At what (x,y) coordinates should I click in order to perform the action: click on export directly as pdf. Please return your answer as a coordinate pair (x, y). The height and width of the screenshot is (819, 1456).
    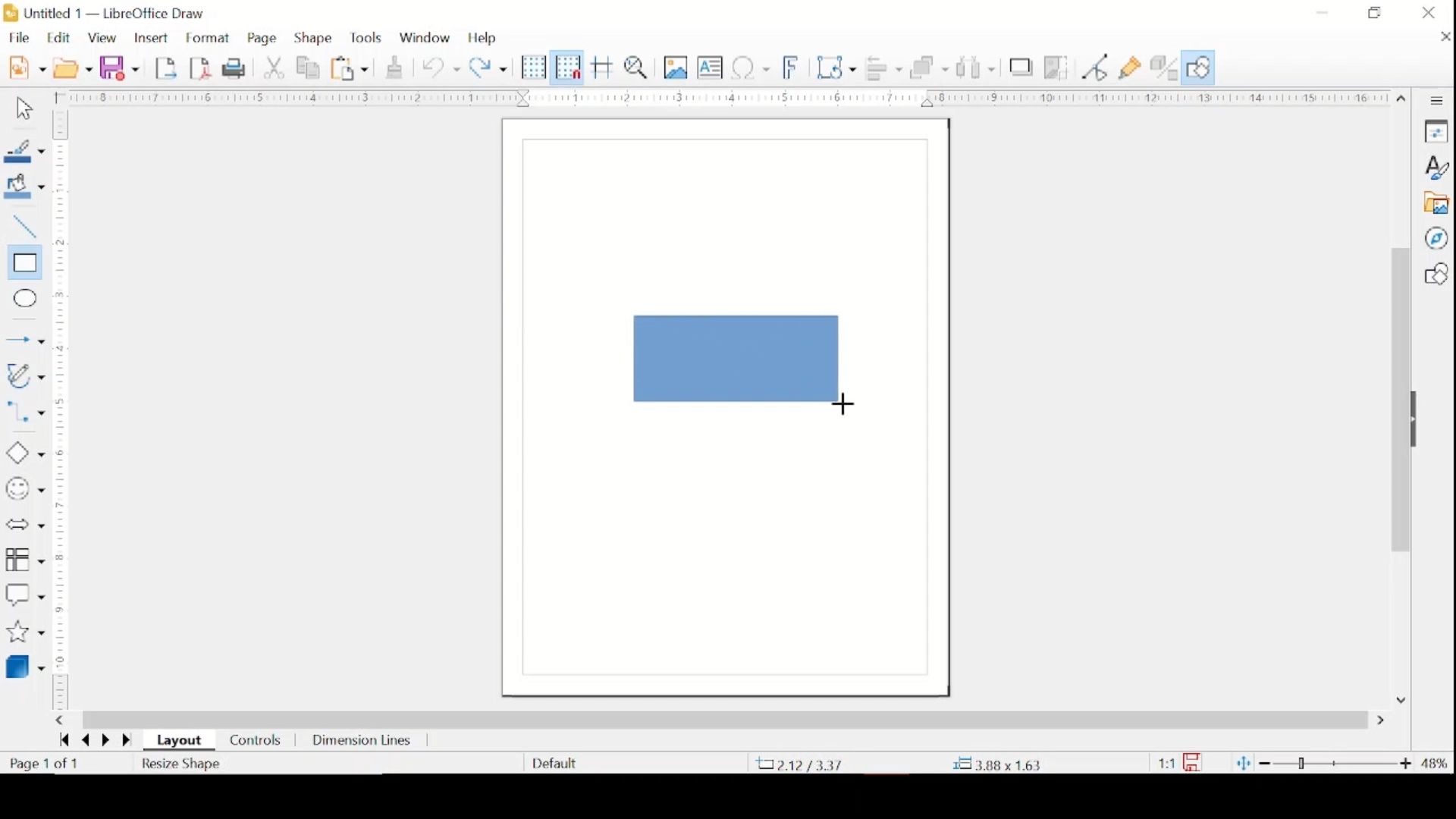
    Looking at the image, I should click on (201, 67).